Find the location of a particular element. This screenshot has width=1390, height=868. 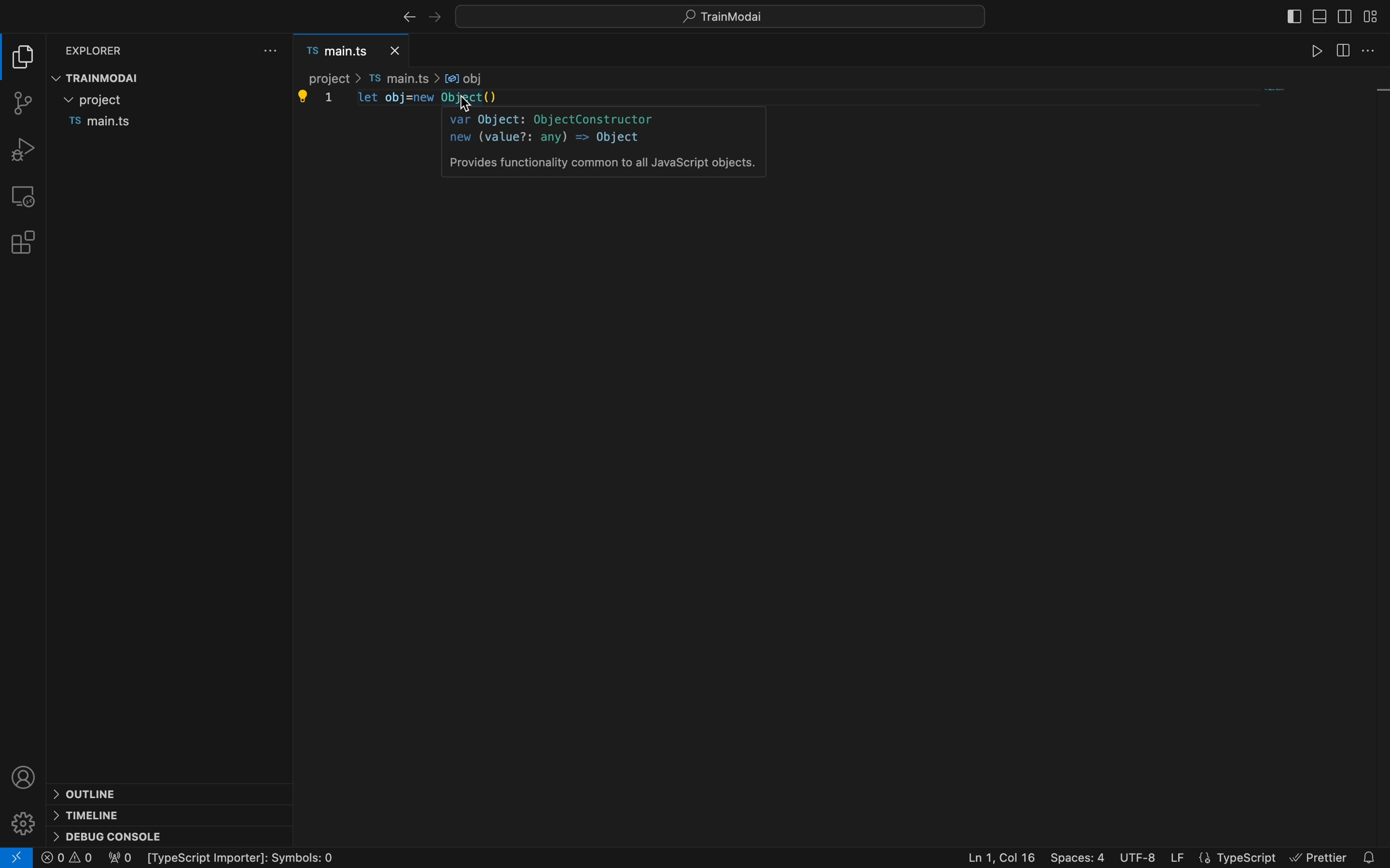

outline is located at coordinates (91, 793).